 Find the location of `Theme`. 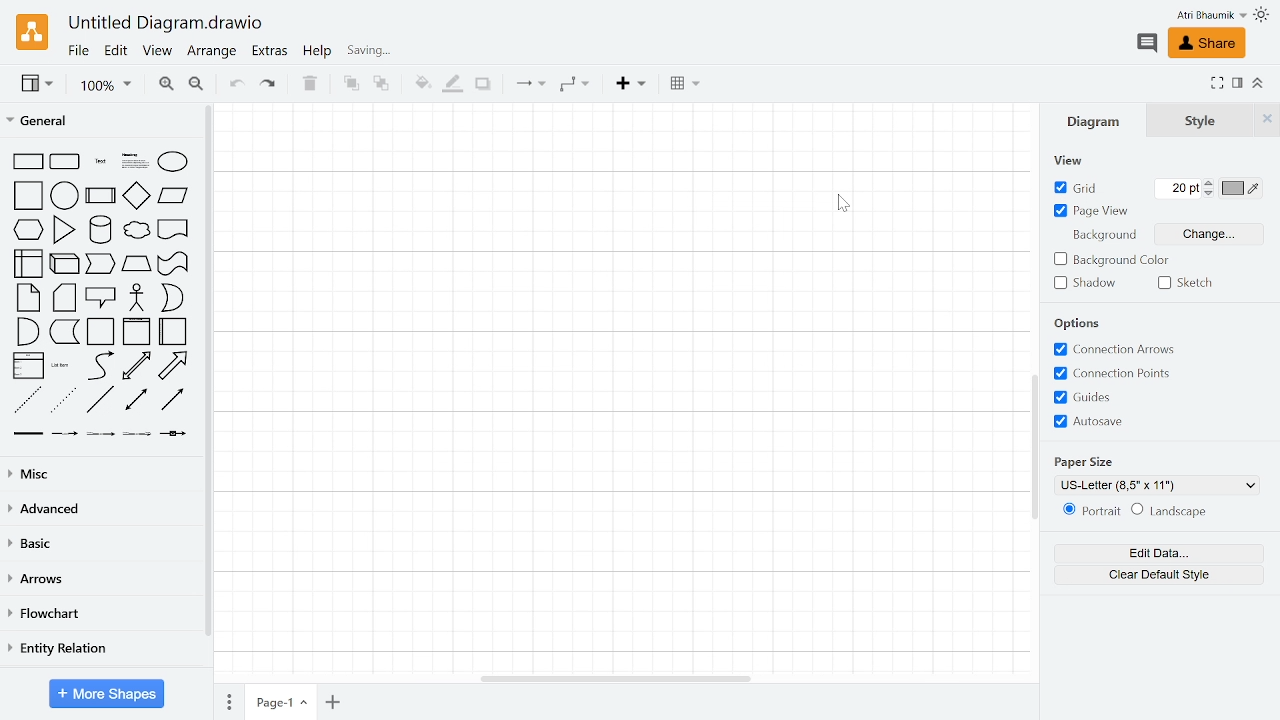

Theme is located at coordinates (1262, 15).